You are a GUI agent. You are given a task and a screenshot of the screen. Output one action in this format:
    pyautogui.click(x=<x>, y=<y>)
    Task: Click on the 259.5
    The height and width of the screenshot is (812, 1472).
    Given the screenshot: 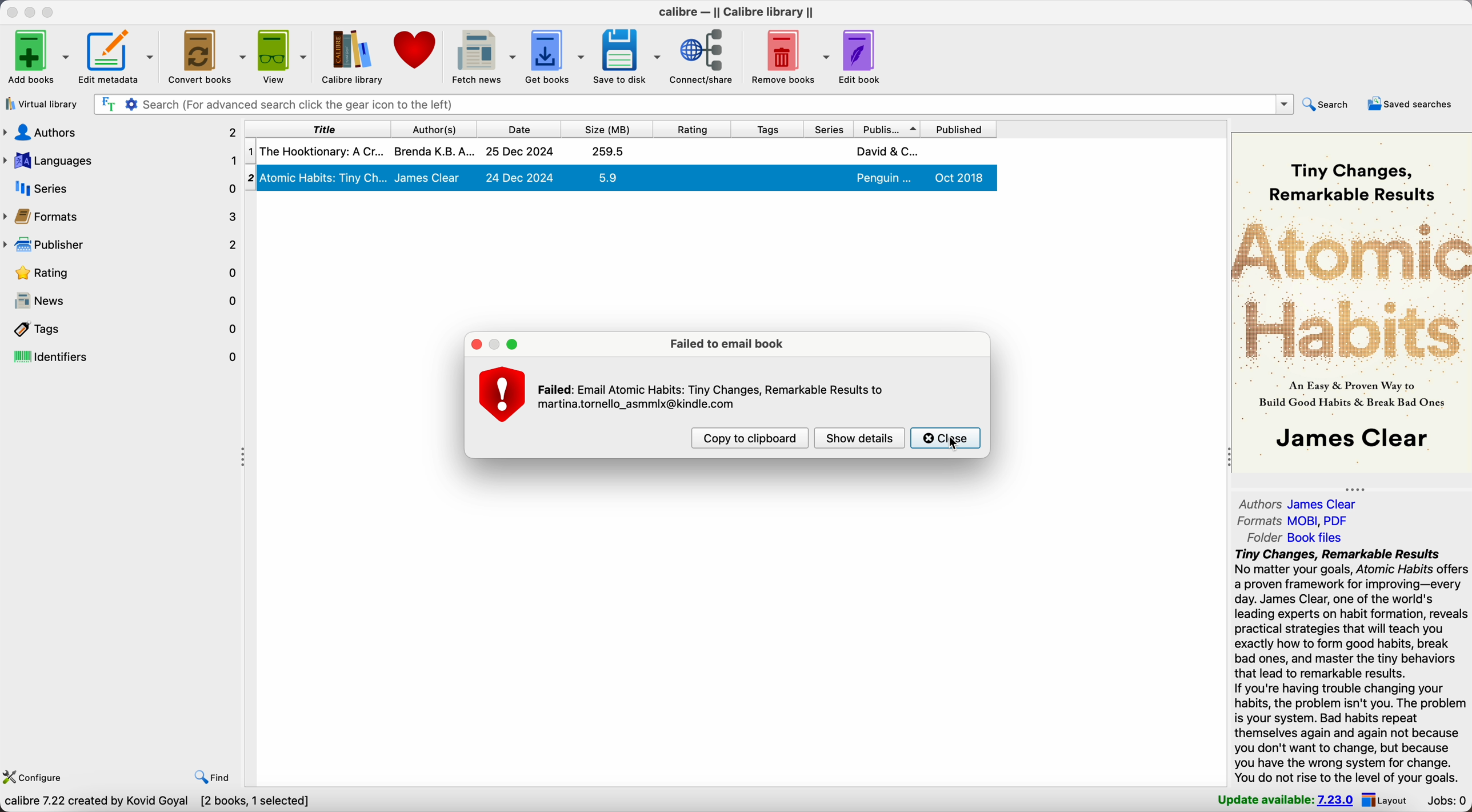 What is the action you would take?
    pyautogui.click(x=609, y=151)
    